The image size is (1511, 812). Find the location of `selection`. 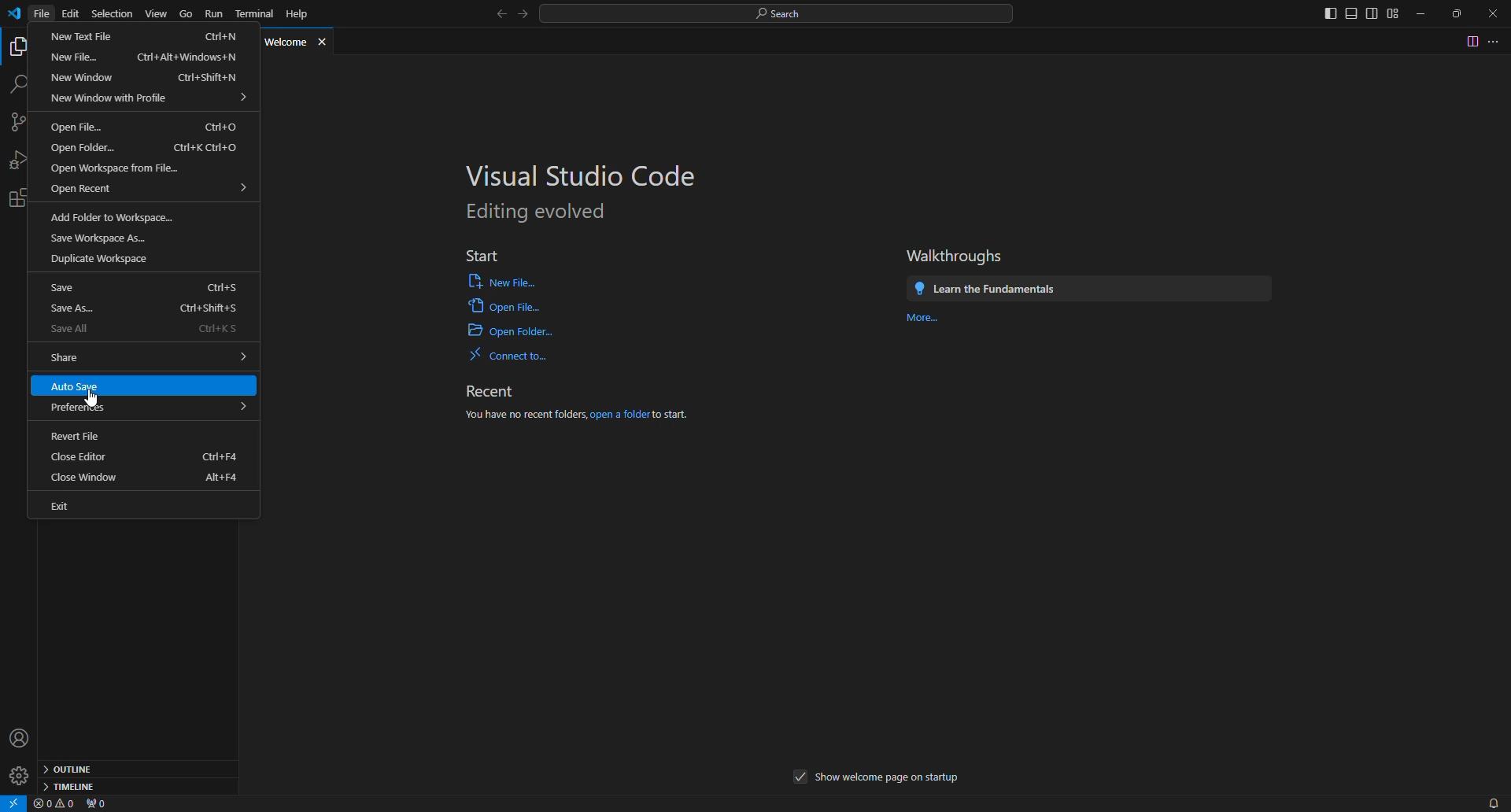

selection is located at coordinates (111, 13).